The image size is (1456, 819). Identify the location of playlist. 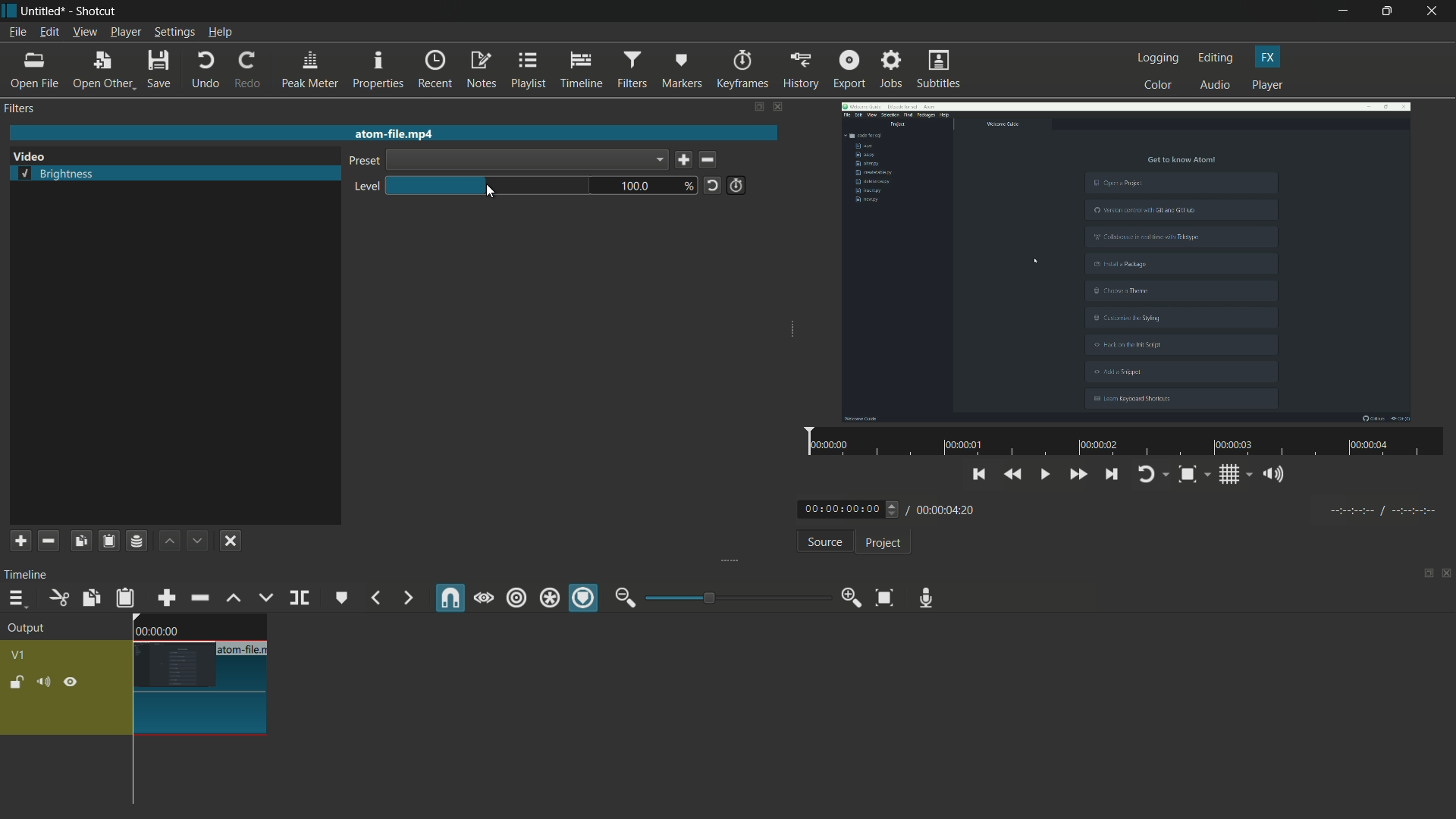
(529, 70).